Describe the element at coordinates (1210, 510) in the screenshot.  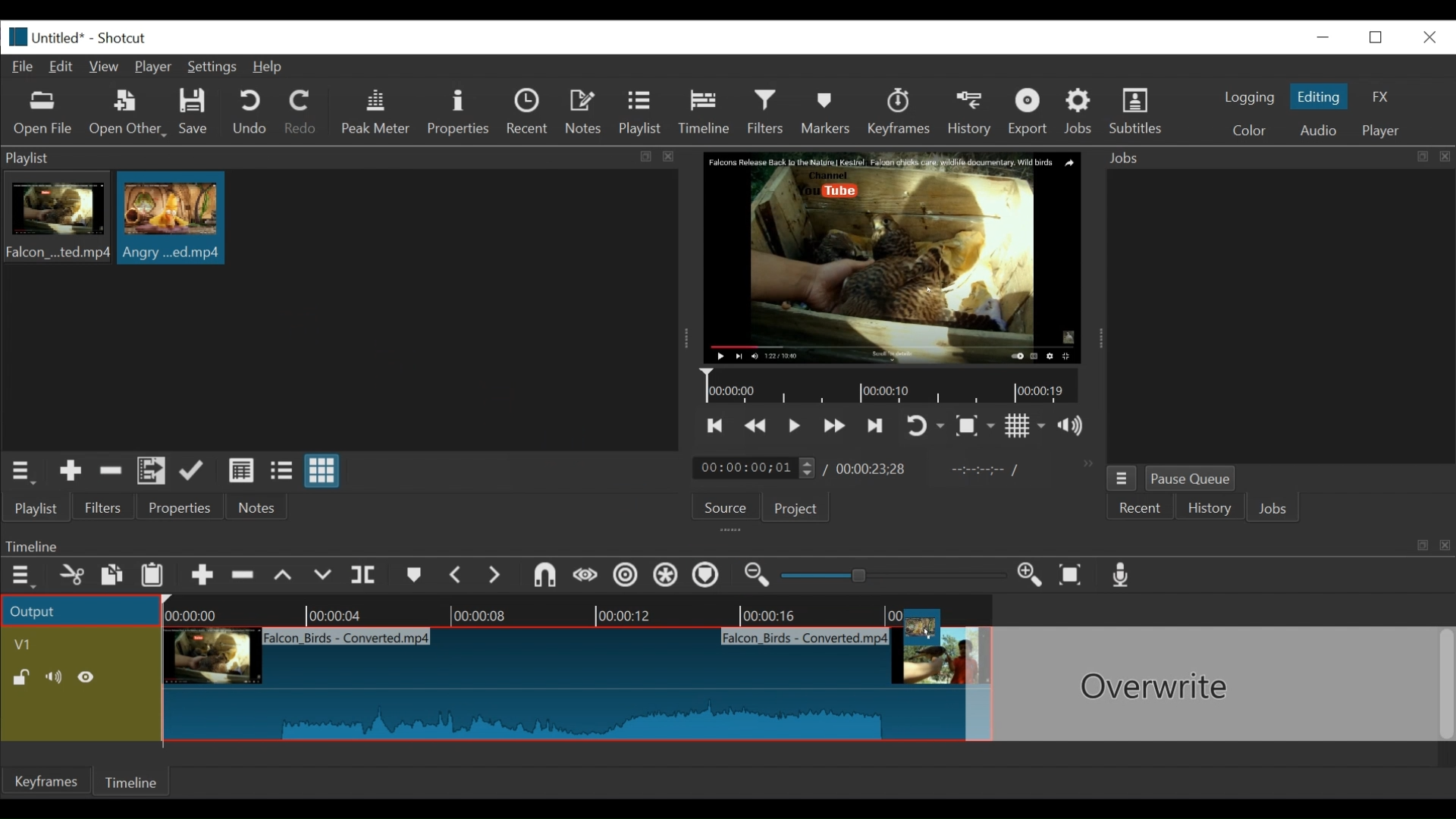
I see `History` at that location.